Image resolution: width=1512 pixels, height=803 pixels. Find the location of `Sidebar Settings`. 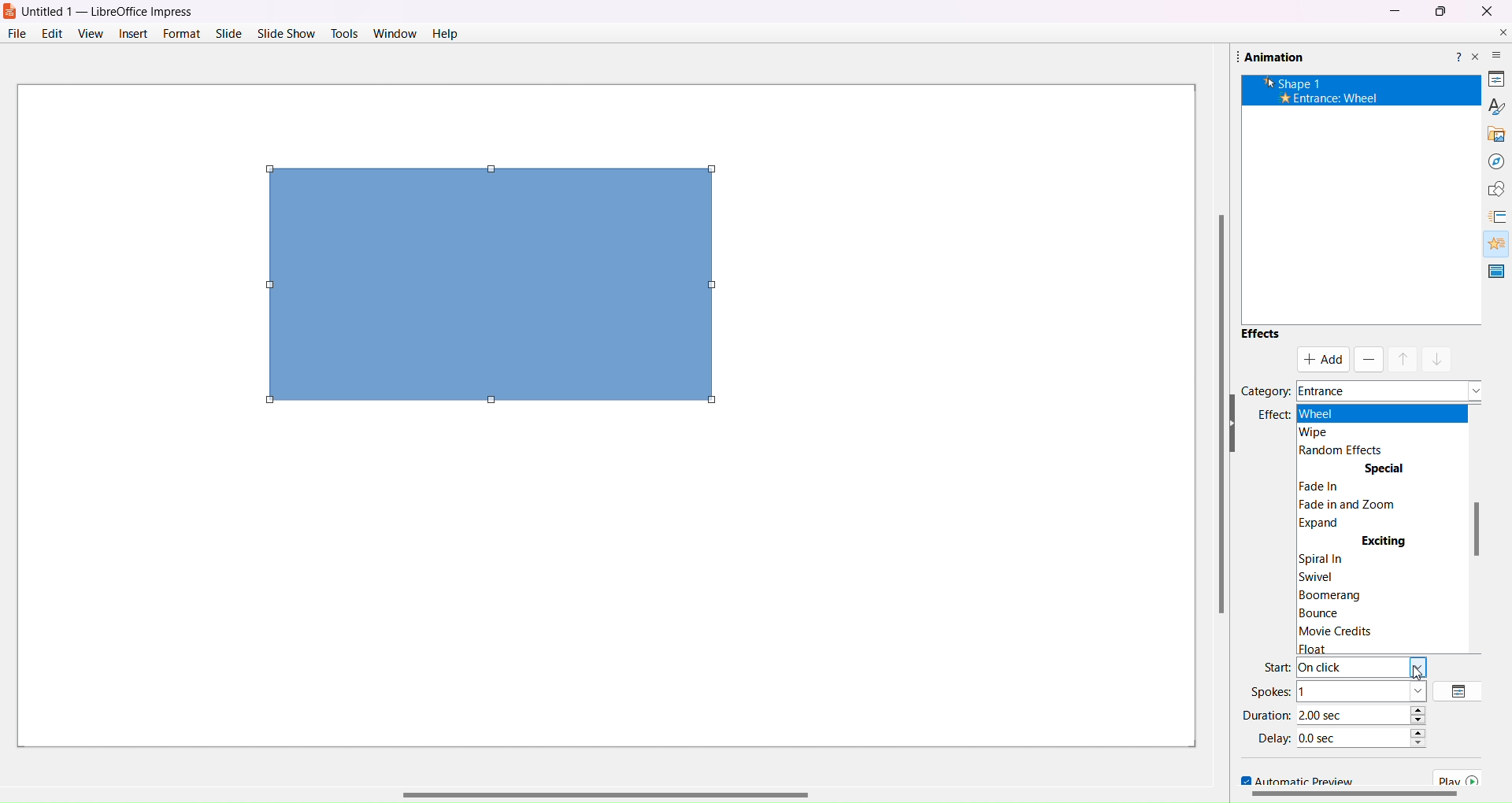

Sidebar Settings is located at coordinates (1488, 49).